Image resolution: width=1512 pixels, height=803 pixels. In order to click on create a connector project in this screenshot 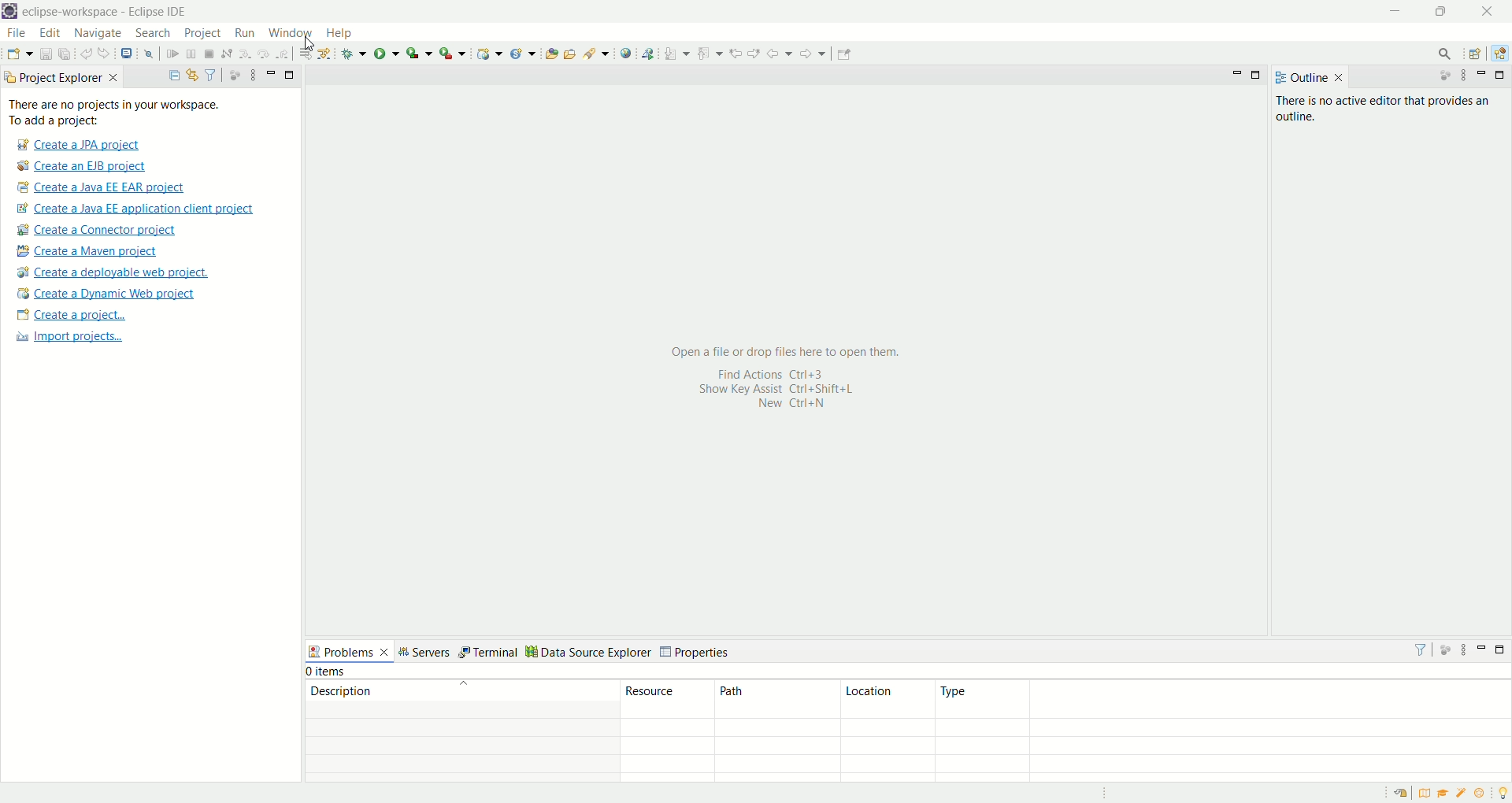, I will do `click(102, 229)`.